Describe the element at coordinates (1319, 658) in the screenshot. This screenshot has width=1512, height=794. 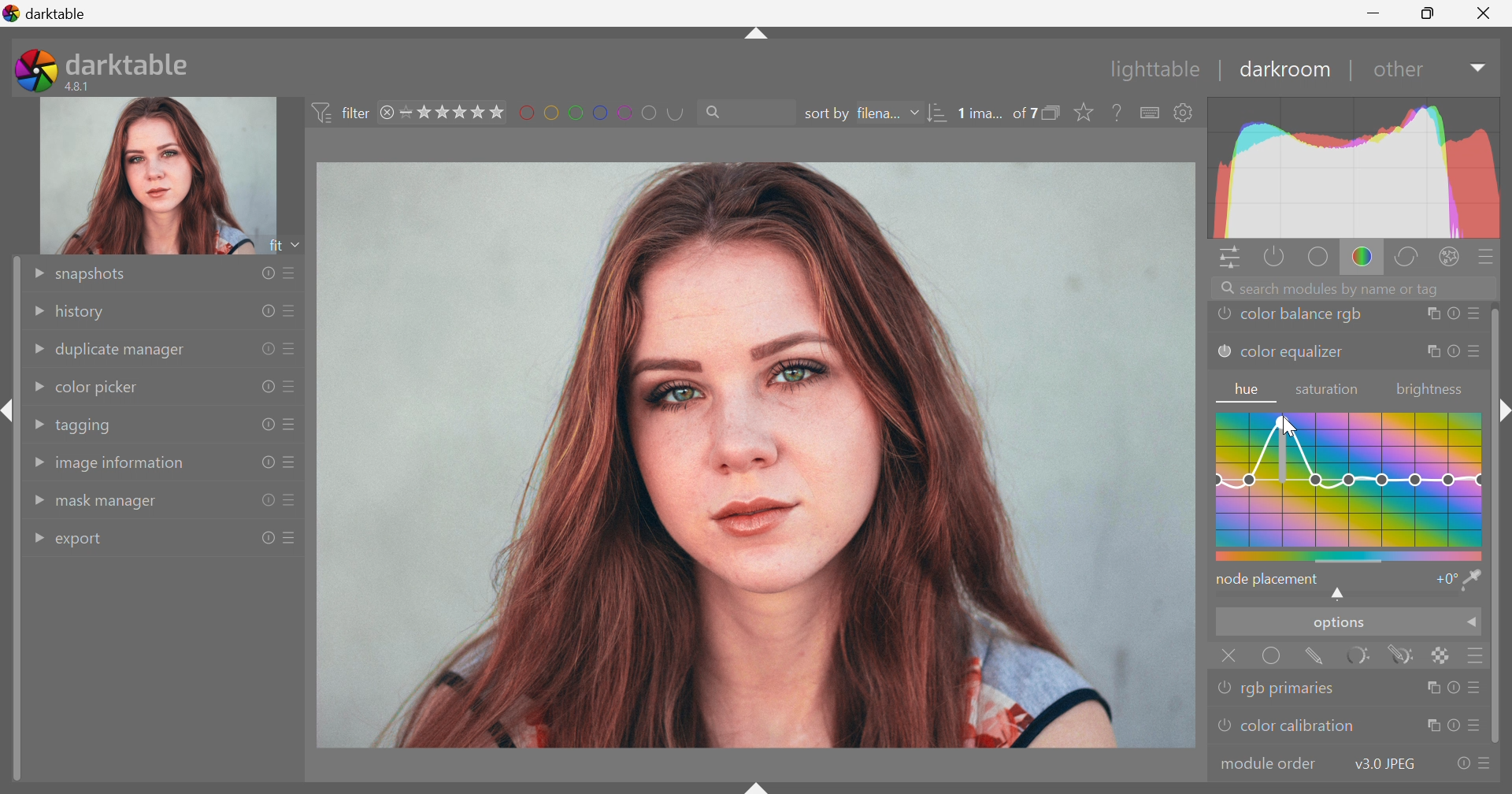
I see `drawn mask` at that location.